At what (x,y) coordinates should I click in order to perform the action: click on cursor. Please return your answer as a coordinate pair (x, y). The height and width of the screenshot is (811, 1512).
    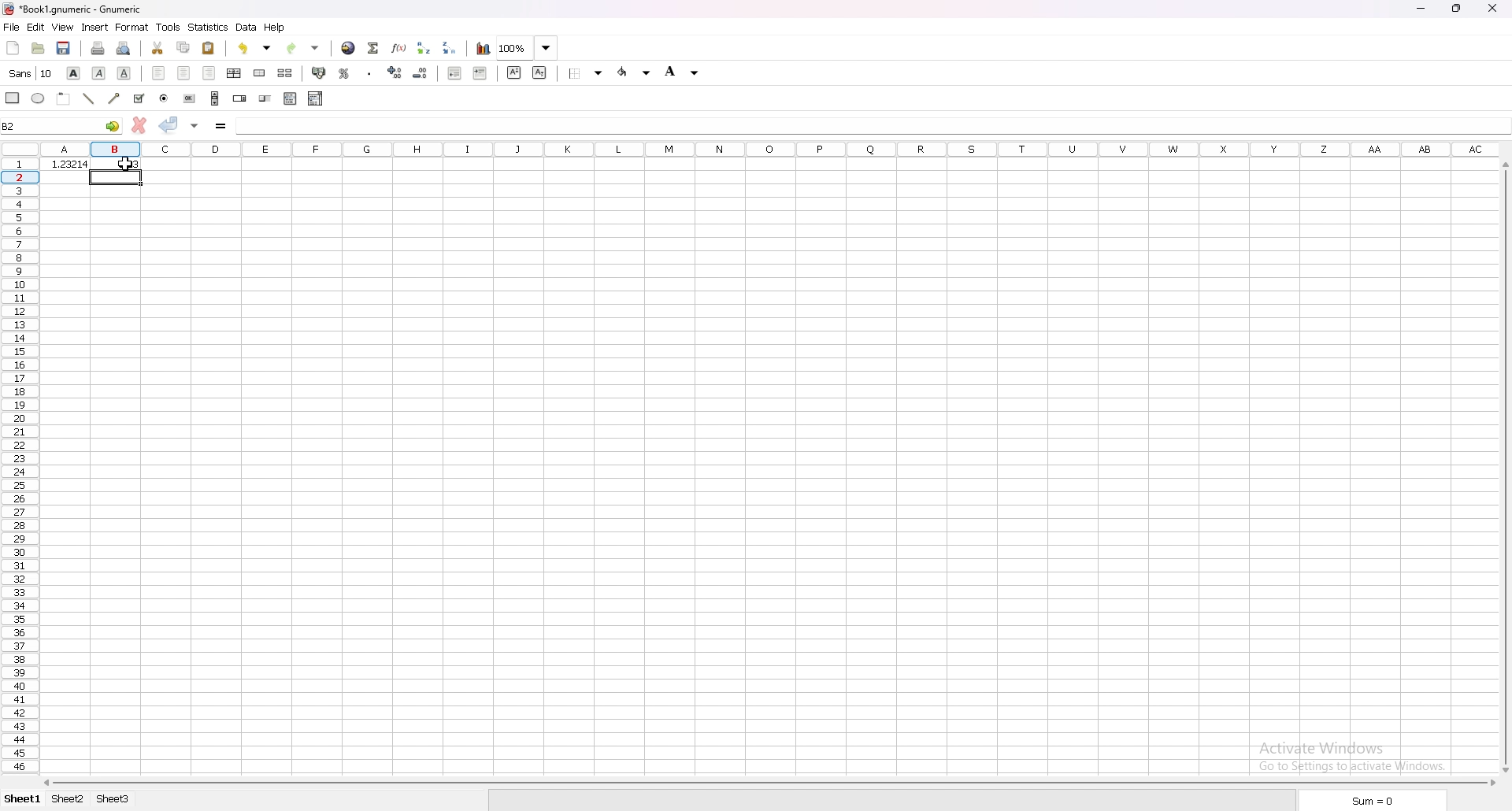
    Looking at the image, I should click on (132, 165).